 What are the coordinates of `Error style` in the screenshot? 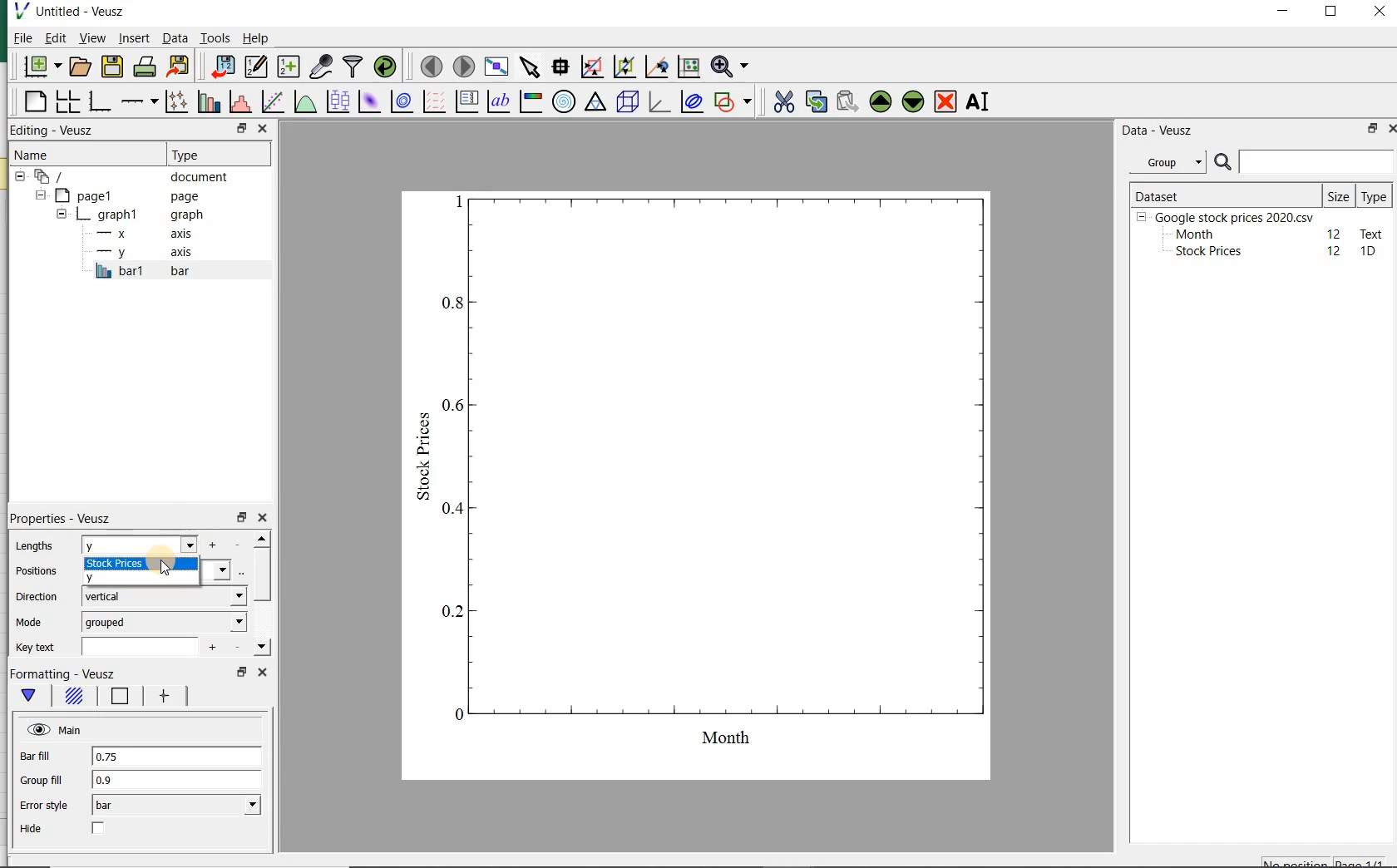 It's located at (43, 805).